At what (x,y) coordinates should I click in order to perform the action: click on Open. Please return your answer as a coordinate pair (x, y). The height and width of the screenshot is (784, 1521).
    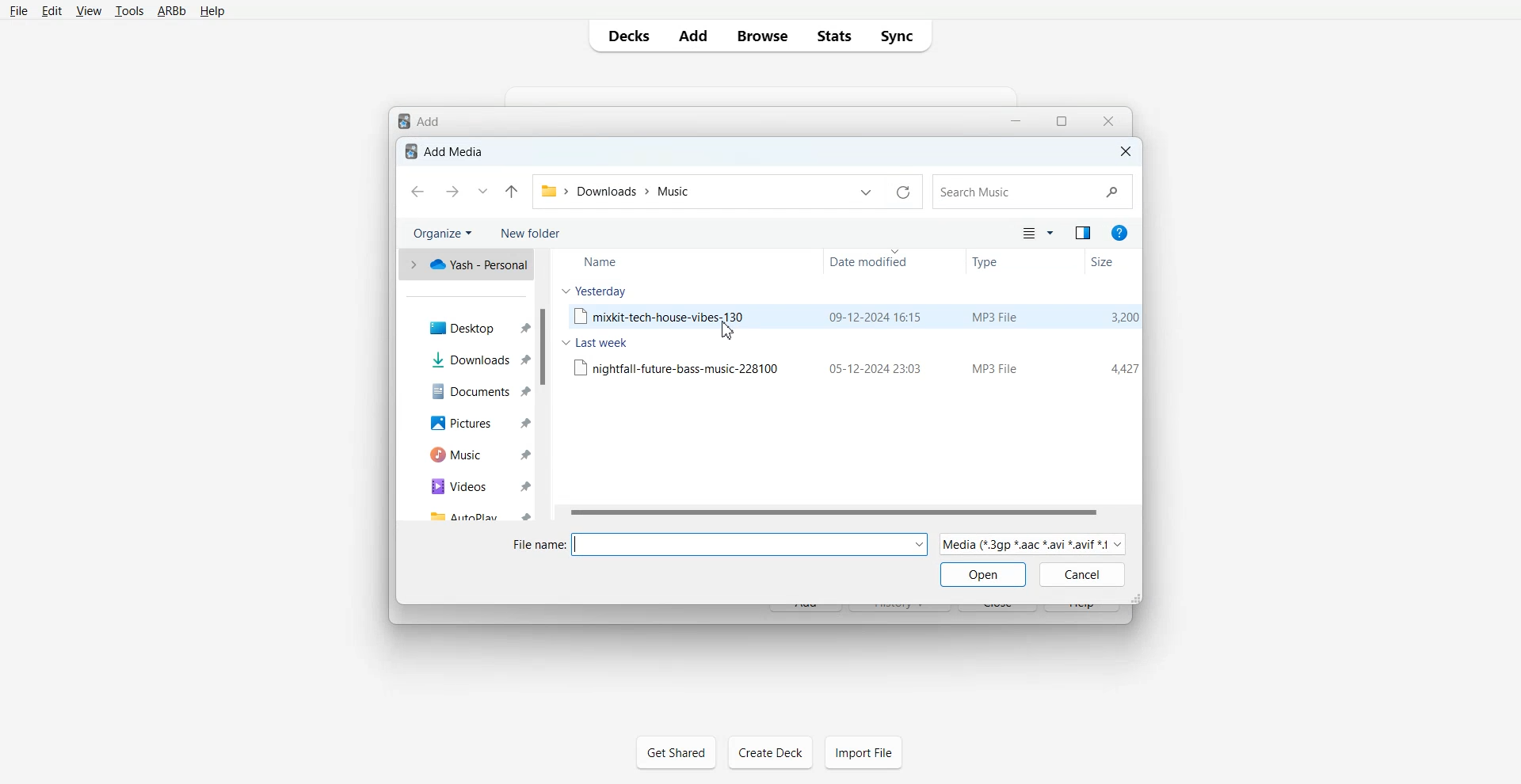
    Looking at the image, I should click on (983, 574).